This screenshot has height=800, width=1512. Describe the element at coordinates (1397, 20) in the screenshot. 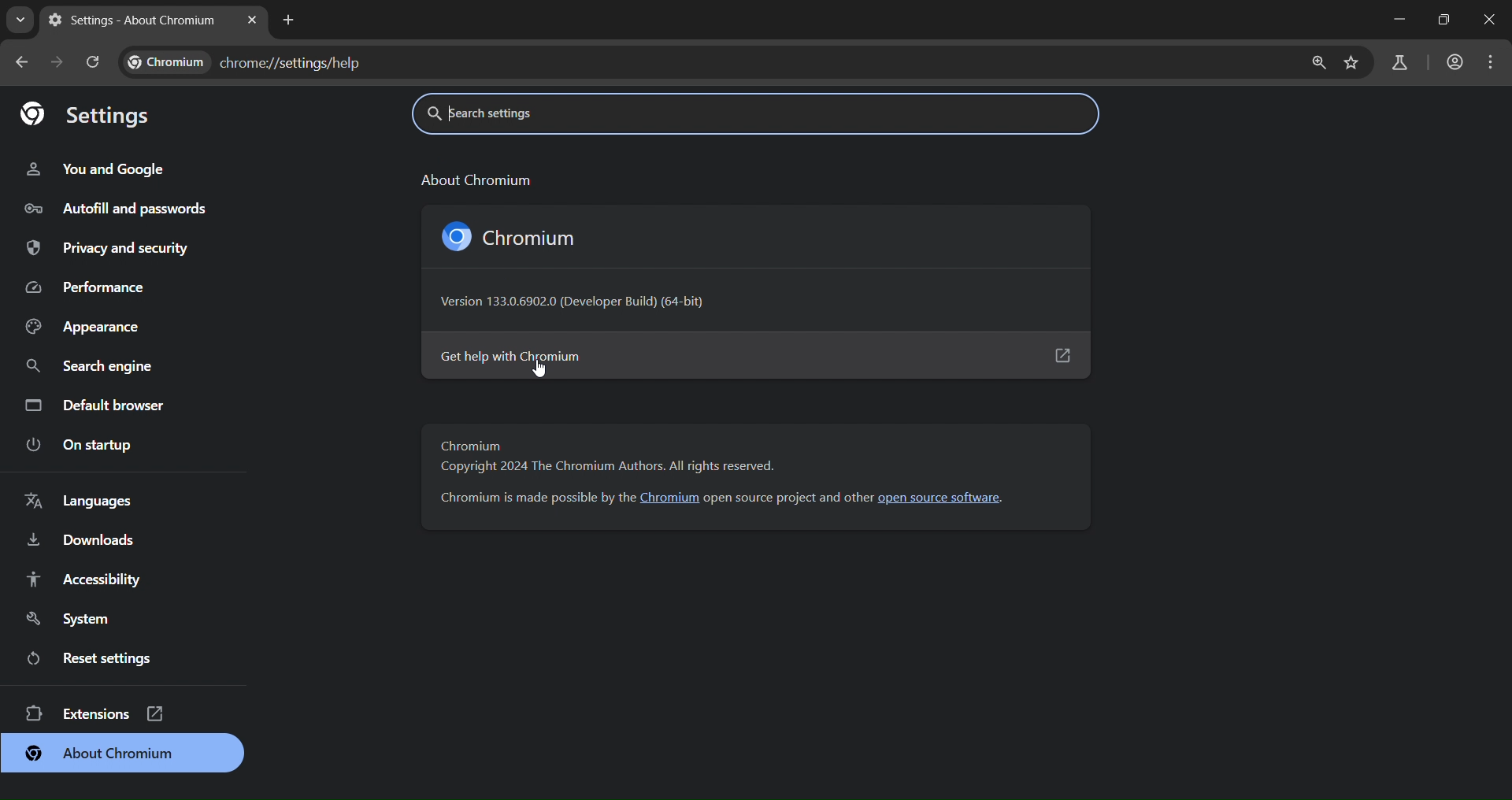

I see `Minimize` at that location.